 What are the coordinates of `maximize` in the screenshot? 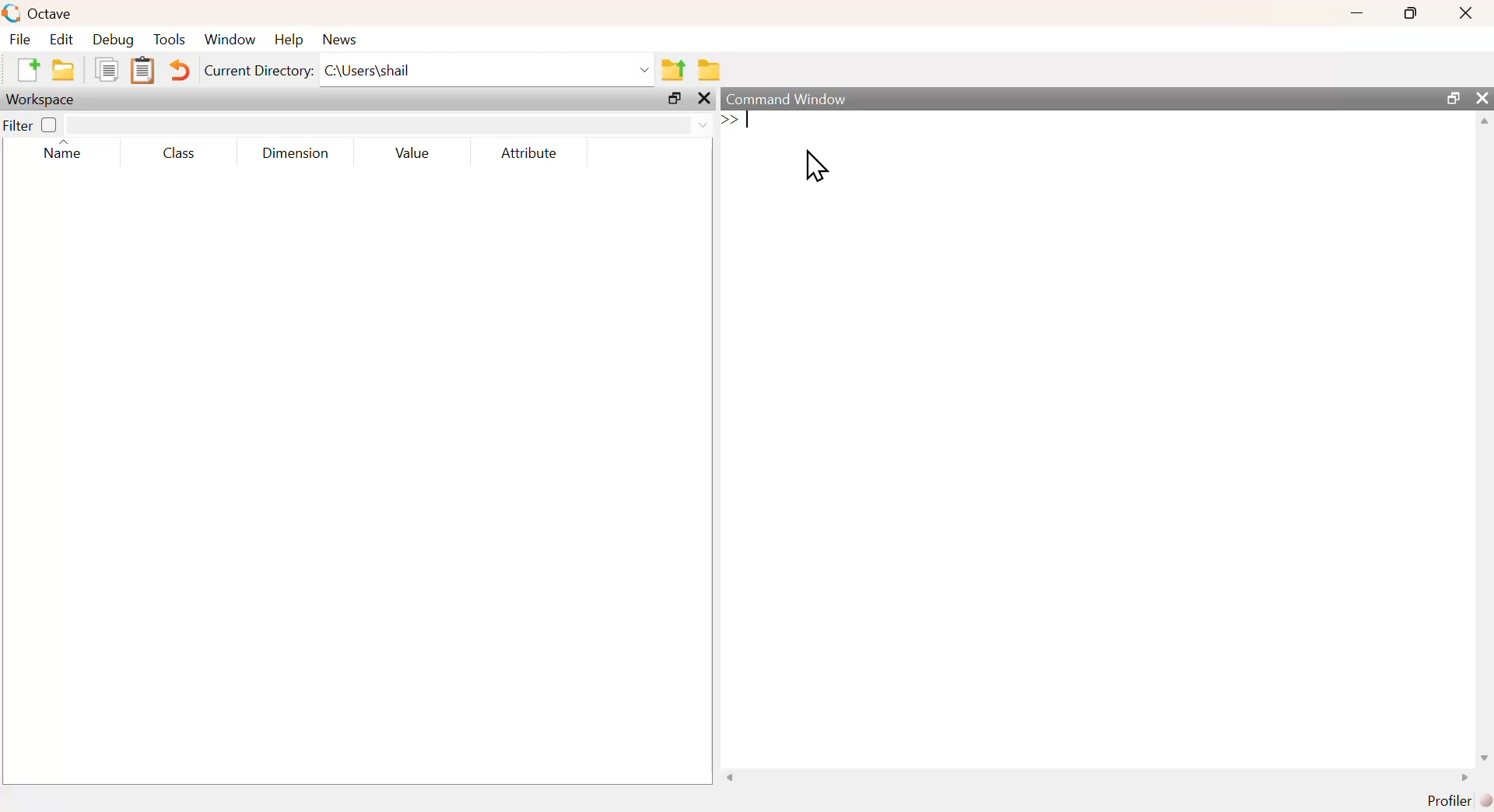 It's located at (670, 100).